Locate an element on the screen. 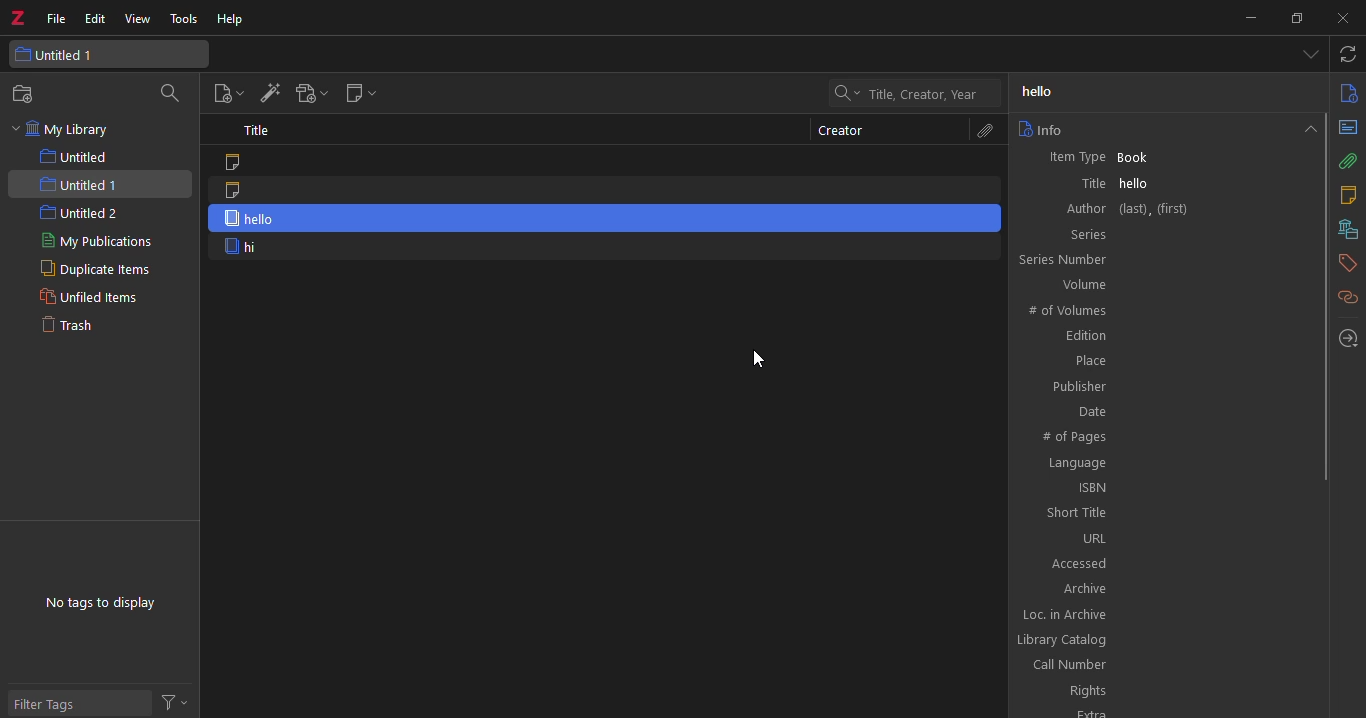  selected note is located at coordinates (609, 219).